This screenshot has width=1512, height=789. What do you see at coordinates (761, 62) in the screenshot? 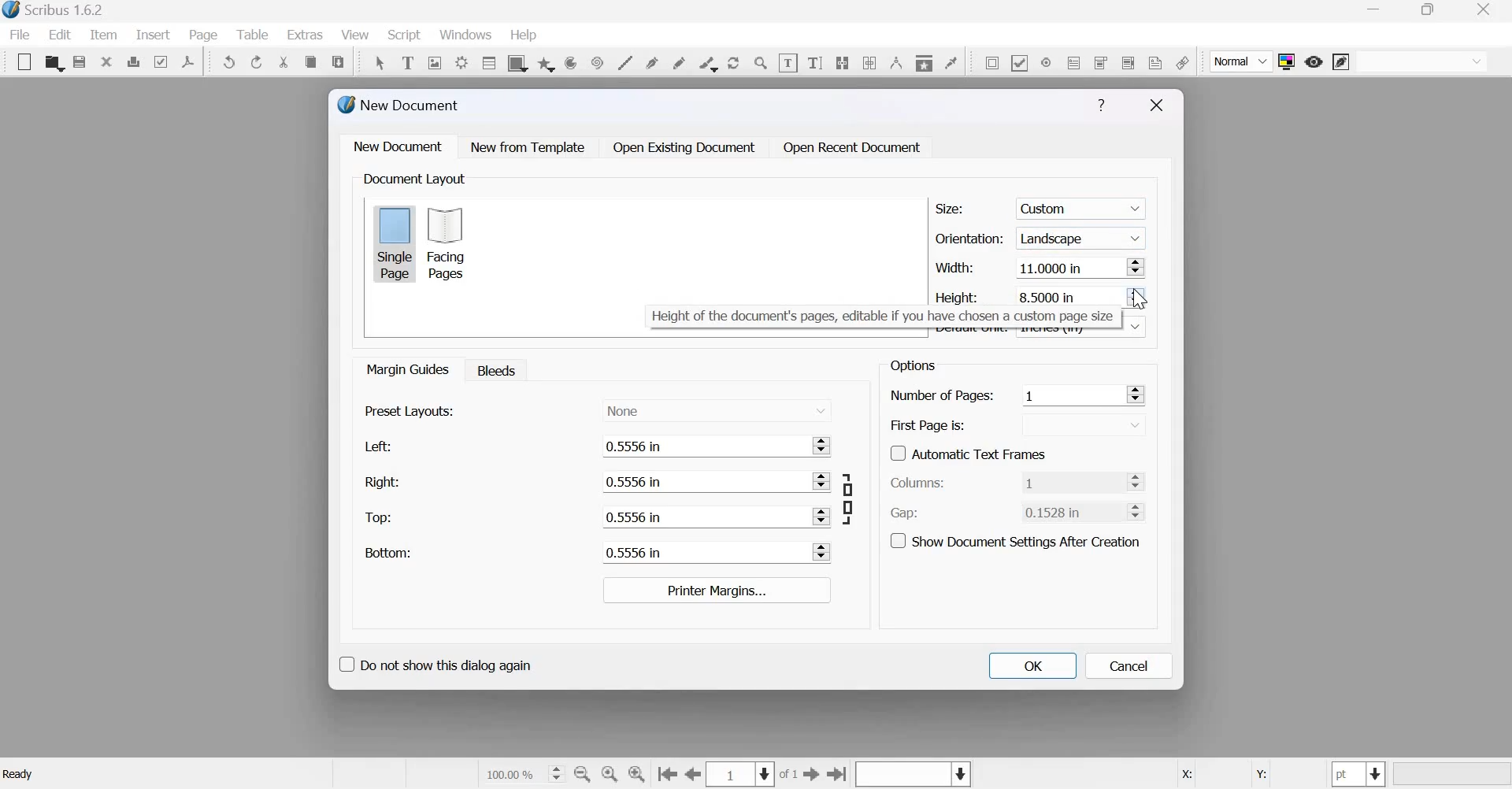
I see `Zoom in or zoom out` at bounding box center [761, 62].